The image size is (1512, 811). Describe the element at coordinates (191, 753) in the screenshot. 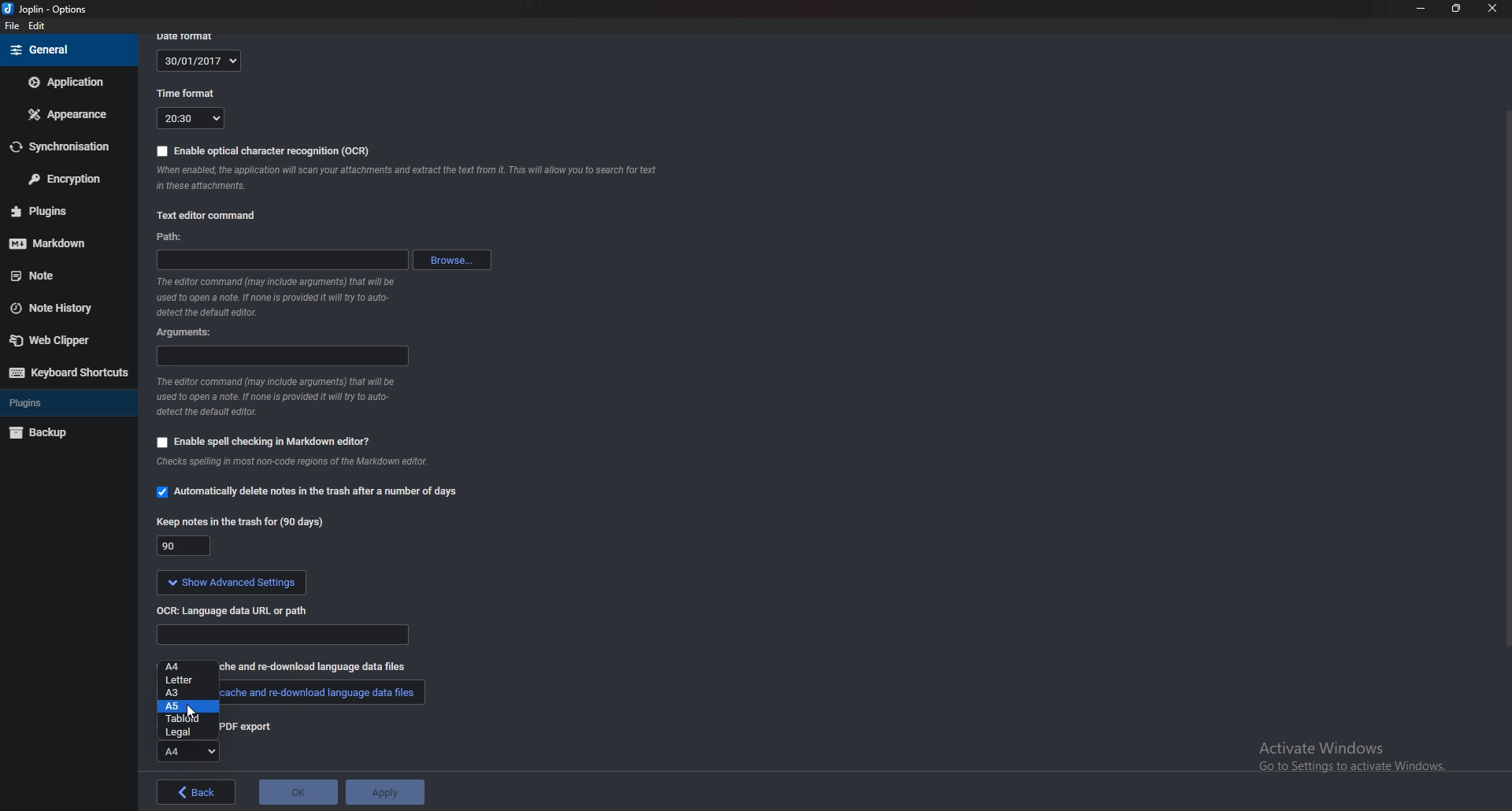

I see `A4` at that location.